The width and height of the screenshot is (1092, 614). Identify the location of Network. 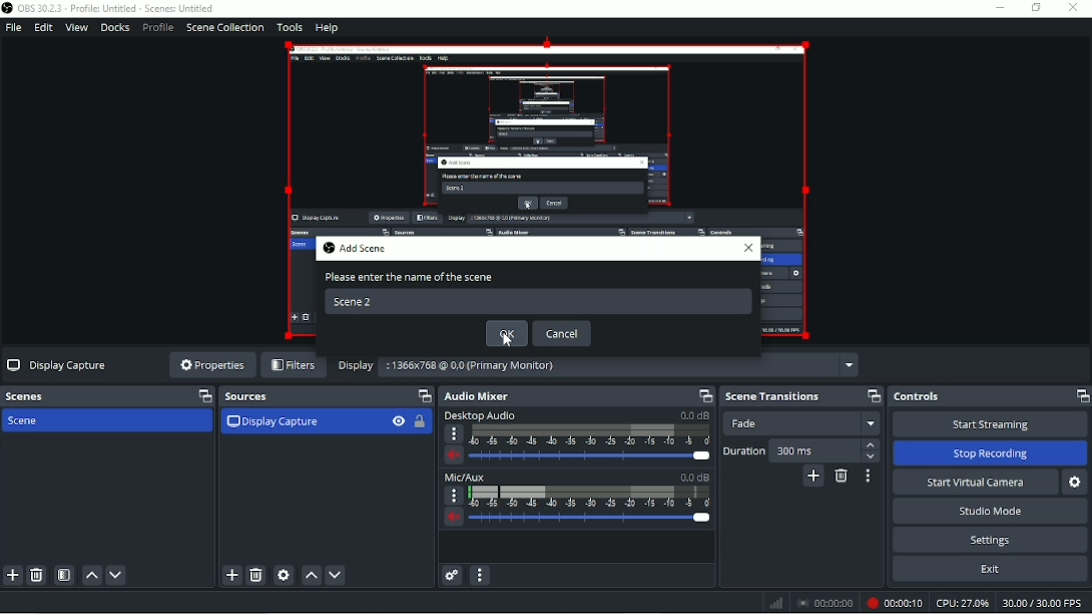
(776, 604).